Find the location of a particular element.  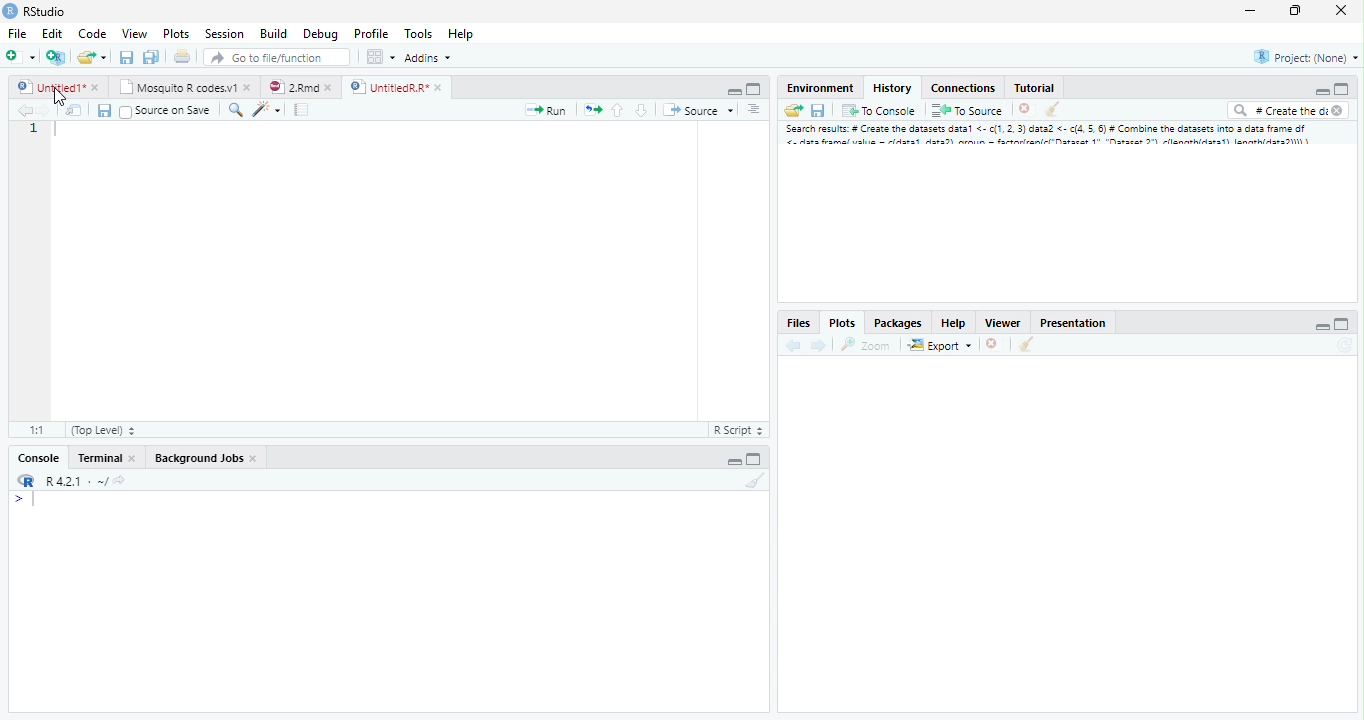

Top level is located at coordinates (105, 428).